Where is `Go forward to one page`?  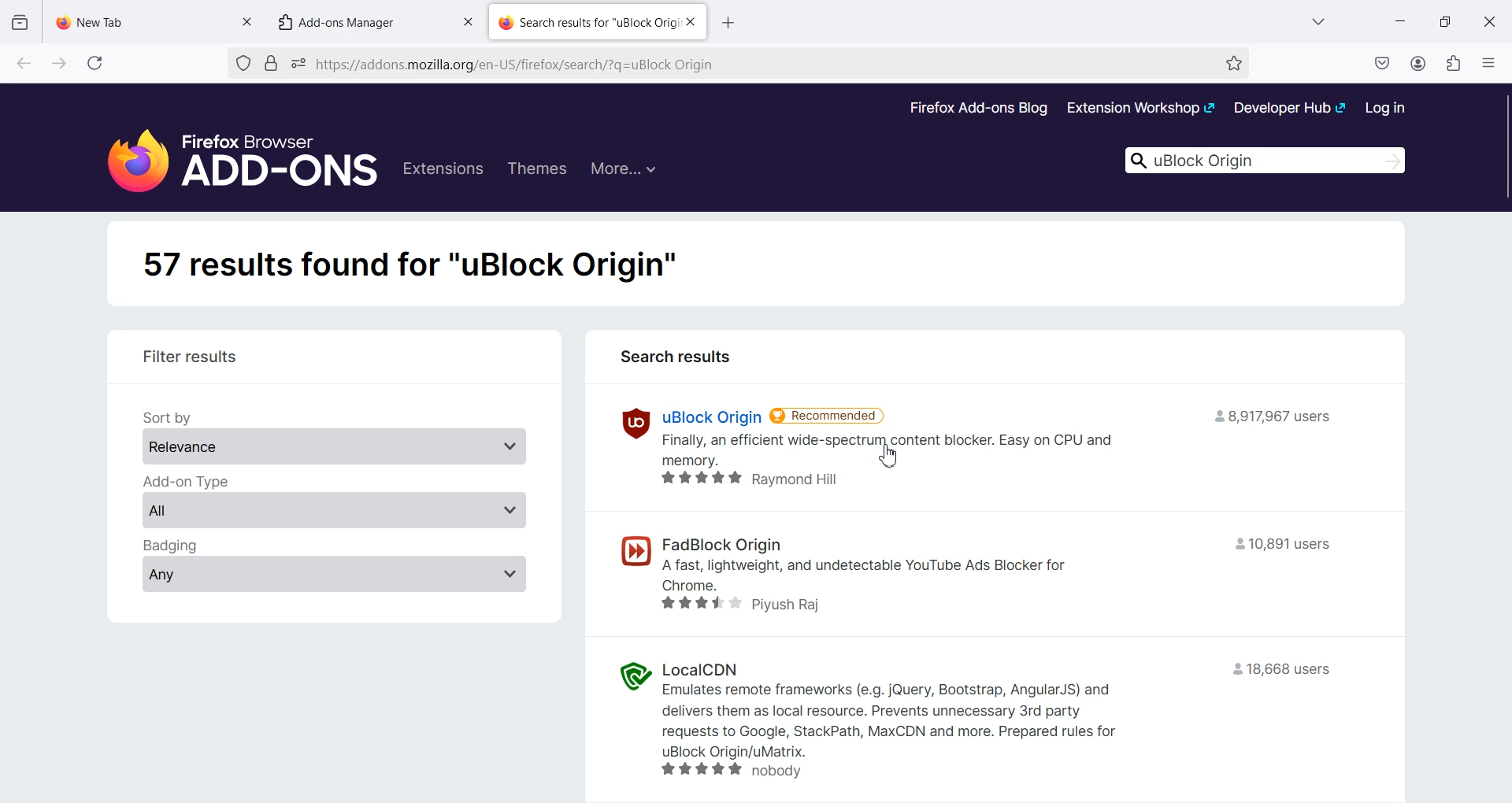
Go forward to one page is located at coordinates (58, 62).